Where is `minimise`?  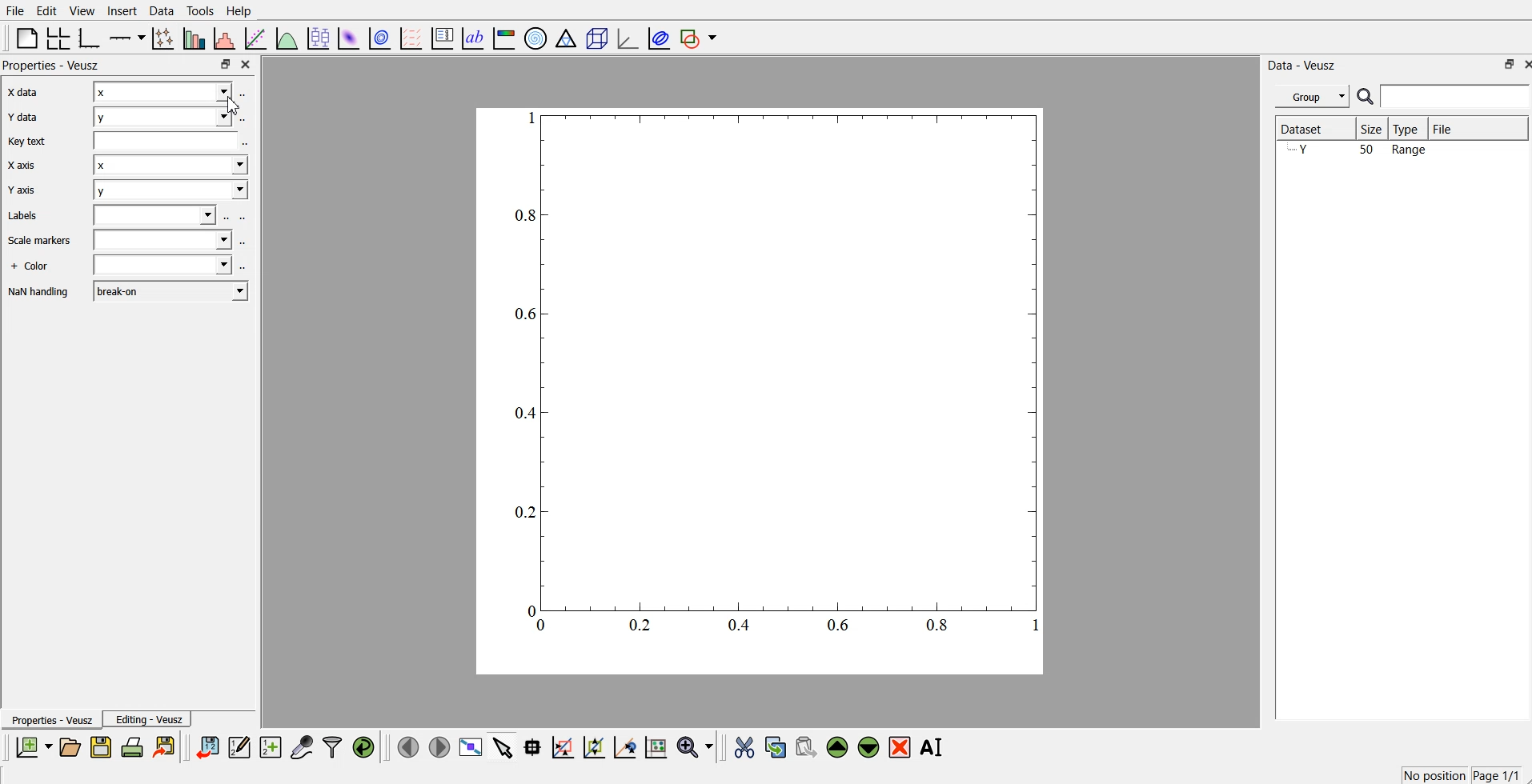 minimise is located at coordinates (1504, 64).